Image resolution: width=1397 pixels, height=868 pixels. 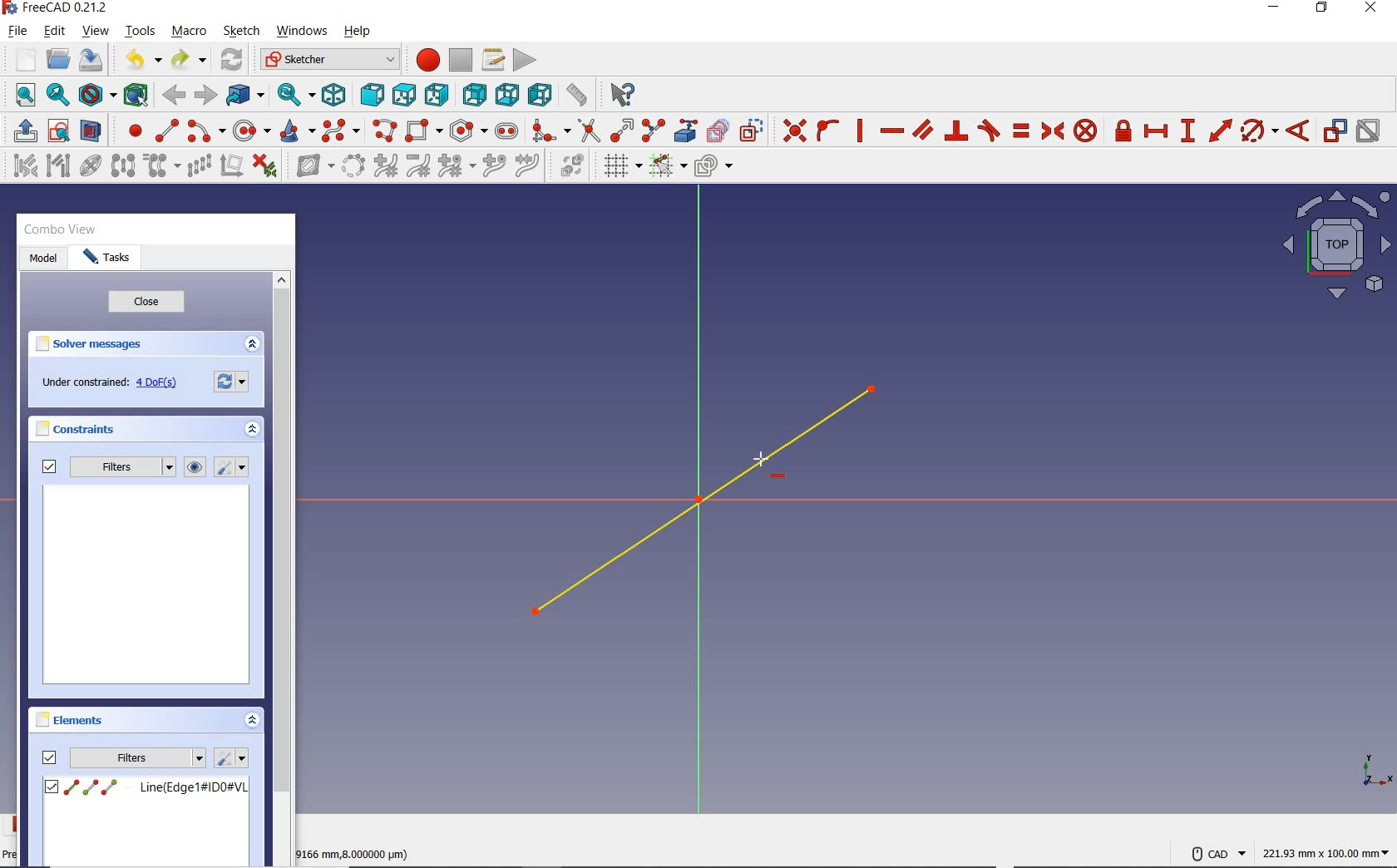 I want to click on CONSTRAIN ARC/CIRCLE, so click(x=1259, y=131).